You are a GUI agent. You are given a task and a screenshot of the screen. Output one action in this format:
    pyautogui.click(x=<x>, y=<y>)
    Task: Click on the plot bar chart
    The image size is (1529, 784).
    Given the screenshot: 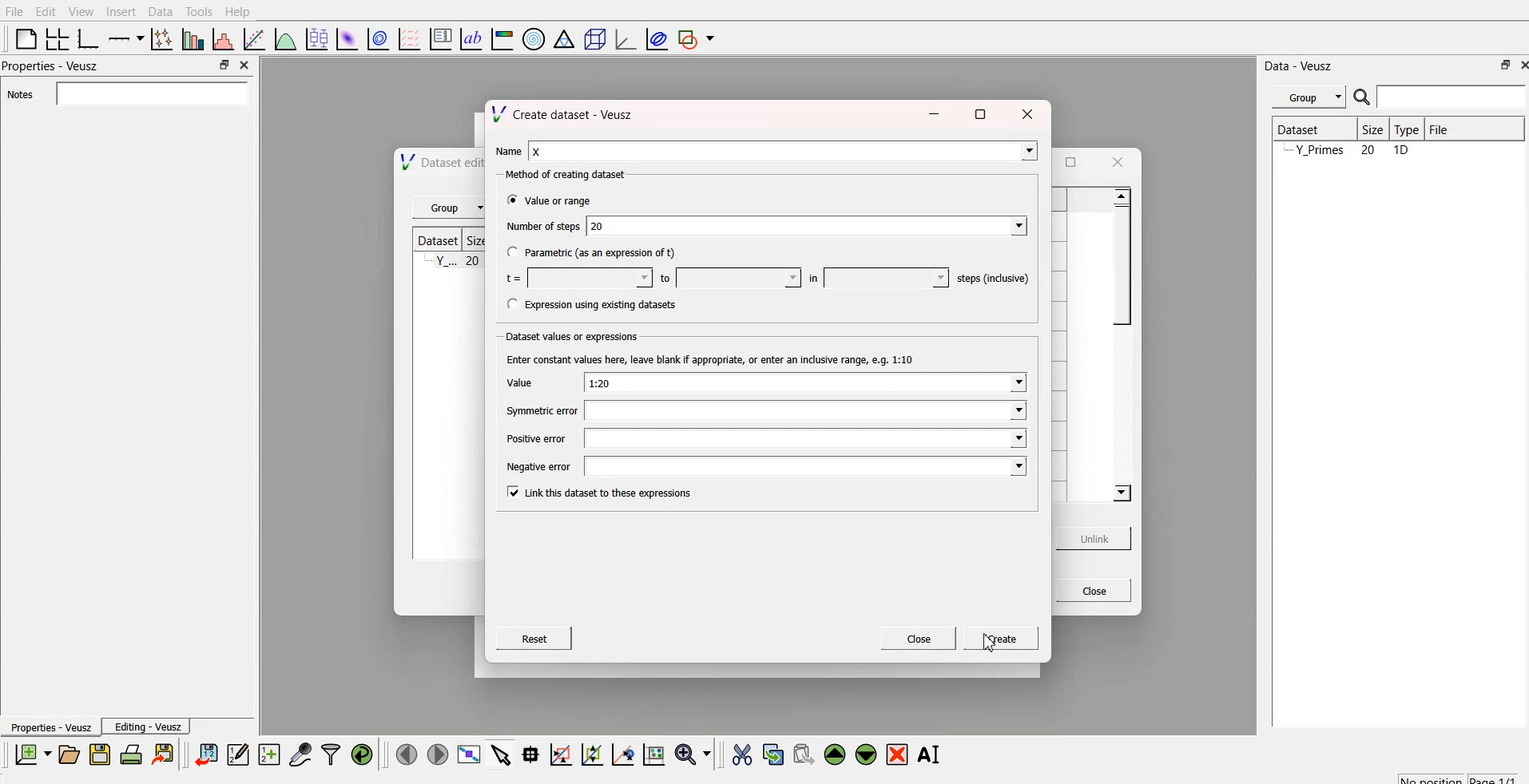 What is the action you would take?
    pyautogui.click(x=191, y=41)
    